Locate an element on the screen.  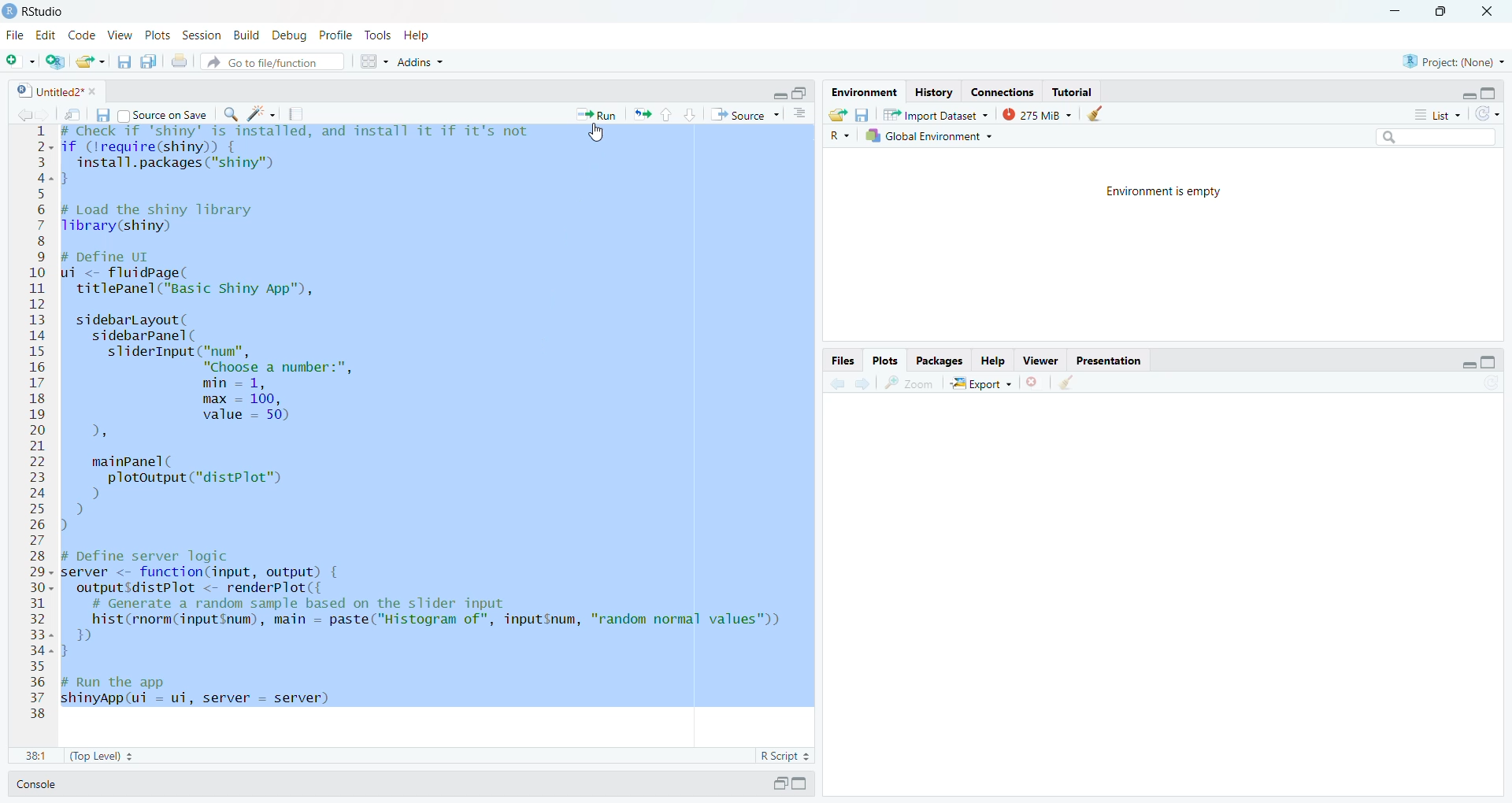
save is located at coordinates (124, 62).